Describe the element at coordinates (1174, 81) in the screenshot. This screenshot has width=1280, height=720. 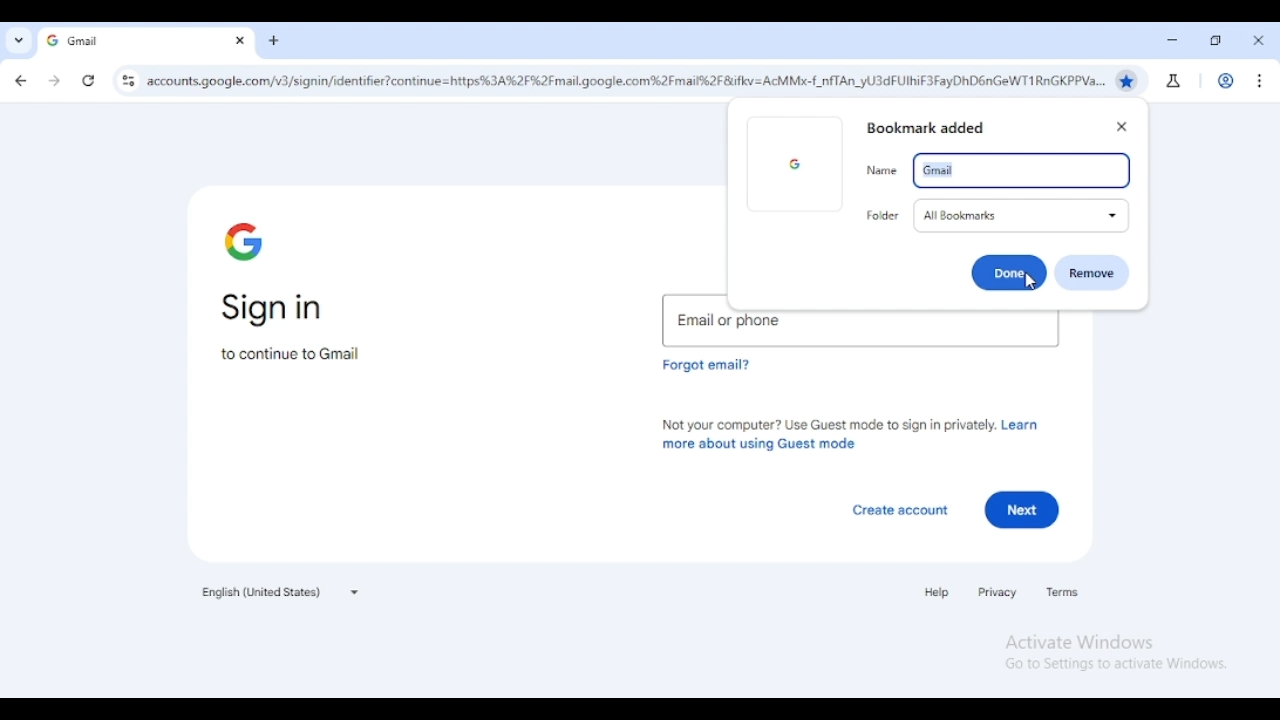
I see `search labs` at that location.